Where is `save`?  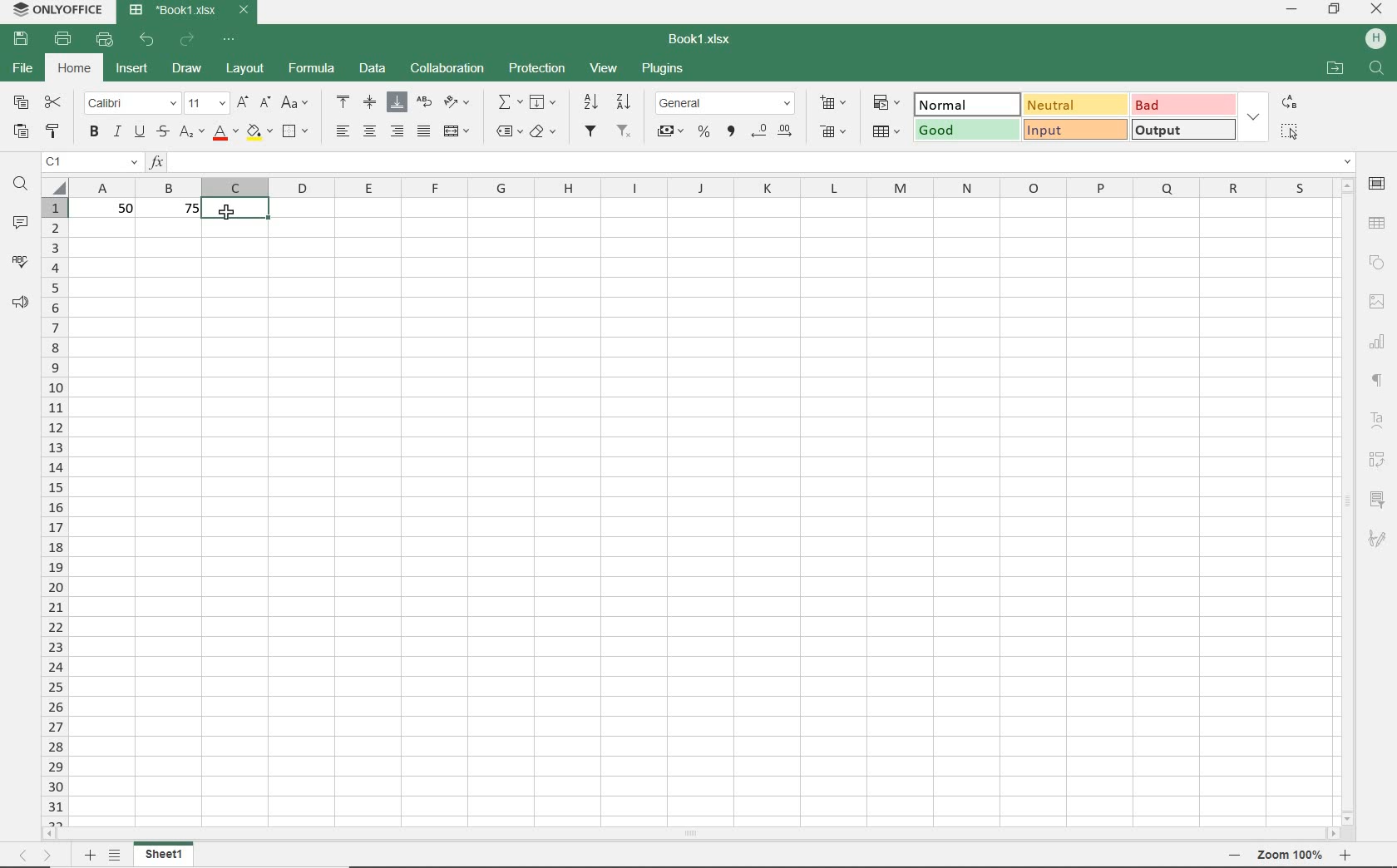
save is located at coordinates (20, 40).